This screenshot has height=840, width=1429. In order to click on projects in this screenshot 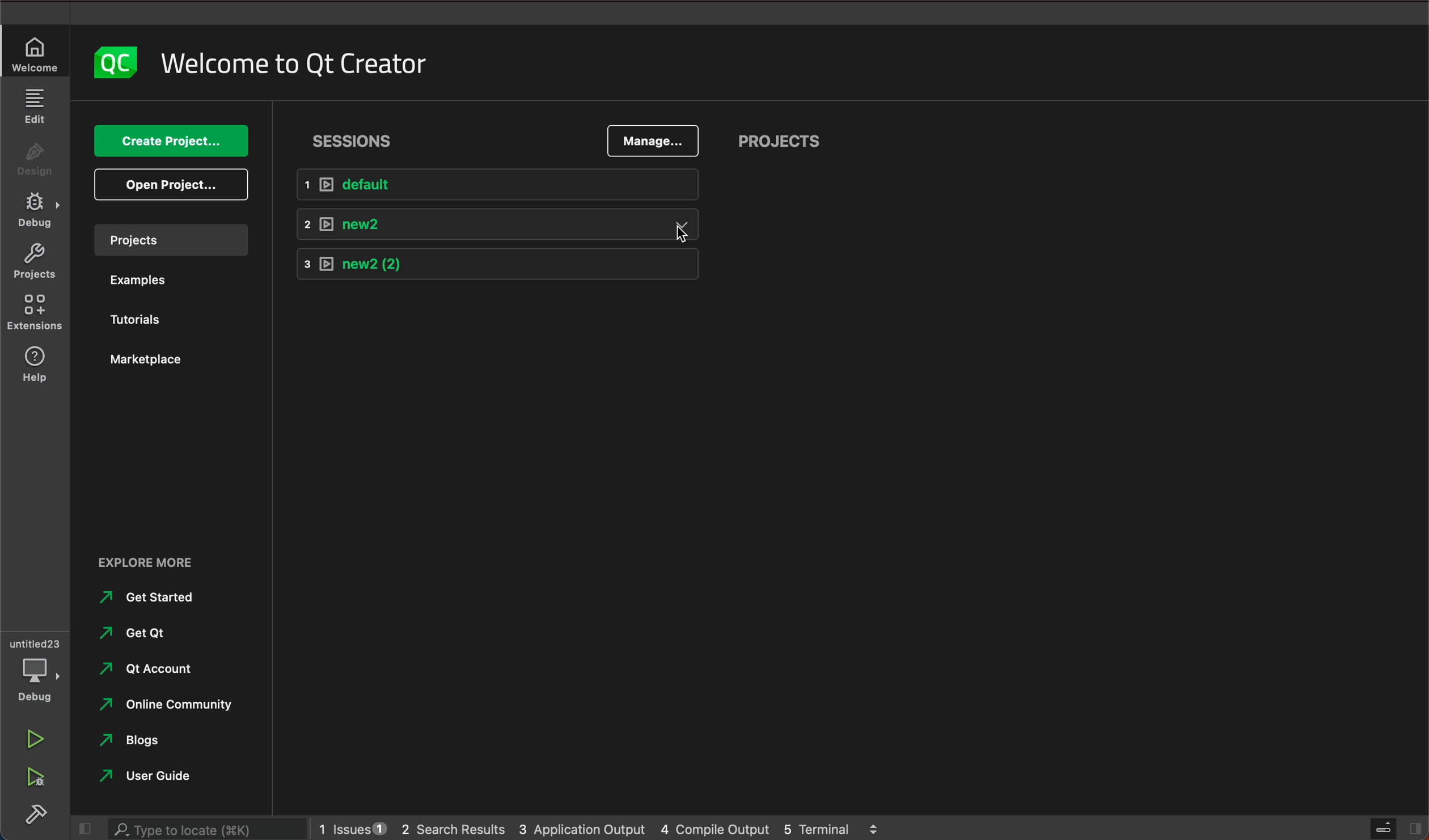, I will do `click(178, 240)`.